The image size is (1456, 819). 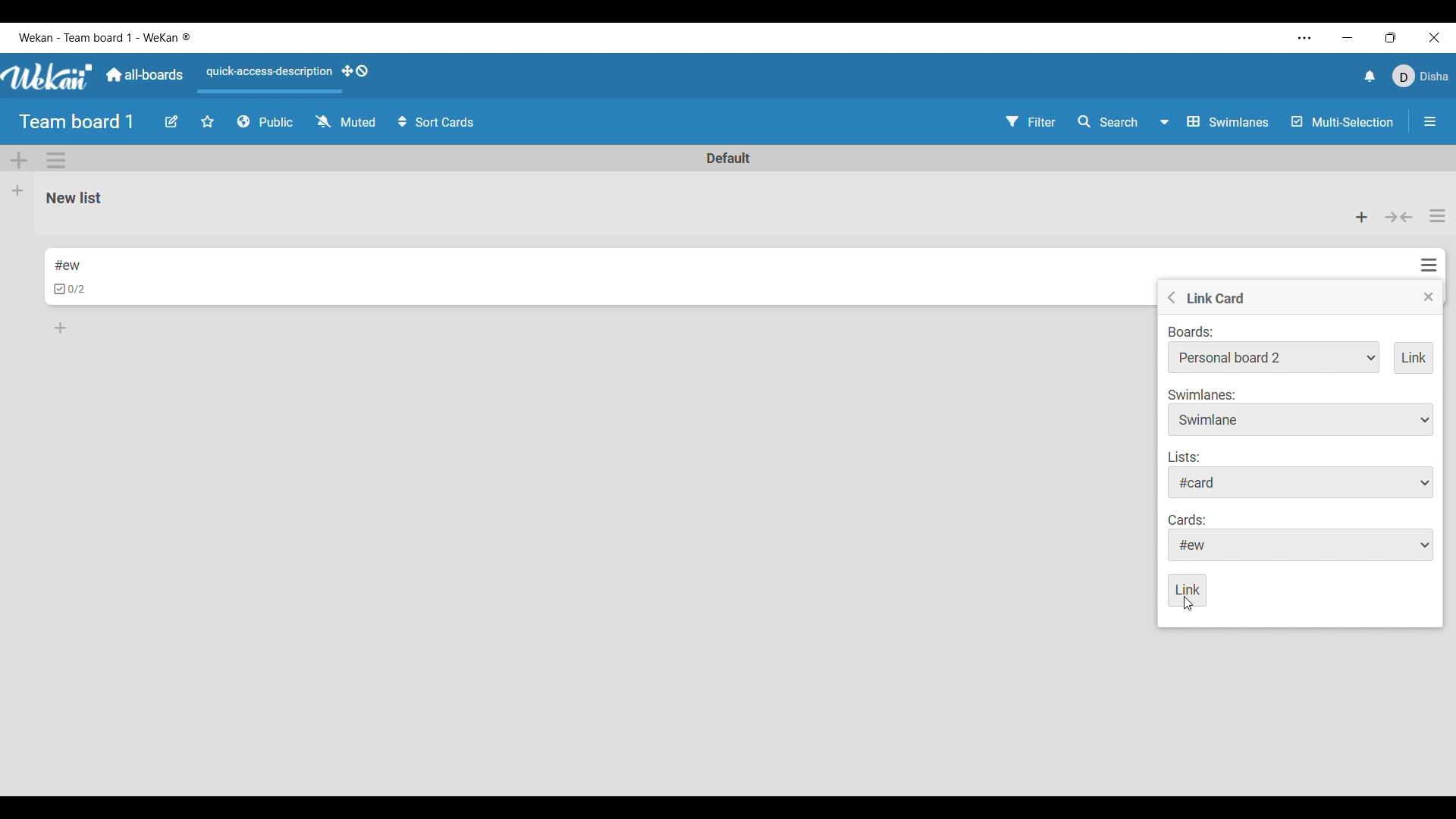 What do you see at coordinates (1108, 122) in the screenshot?
I see `Search` at bounding box center [1108, 122].